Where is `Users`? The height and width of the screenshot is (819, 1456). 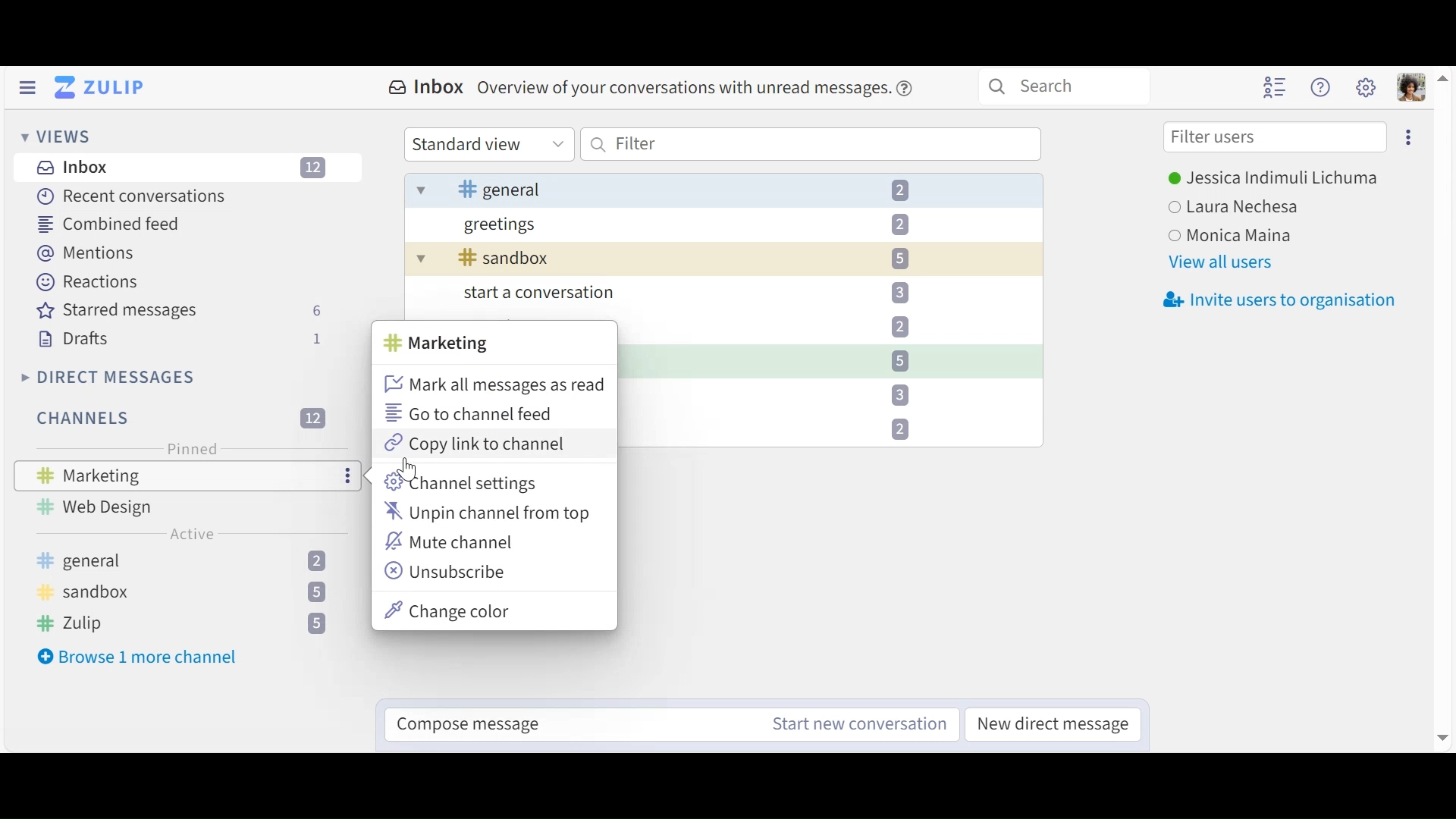 Users is located at coordinates (1272, 180).